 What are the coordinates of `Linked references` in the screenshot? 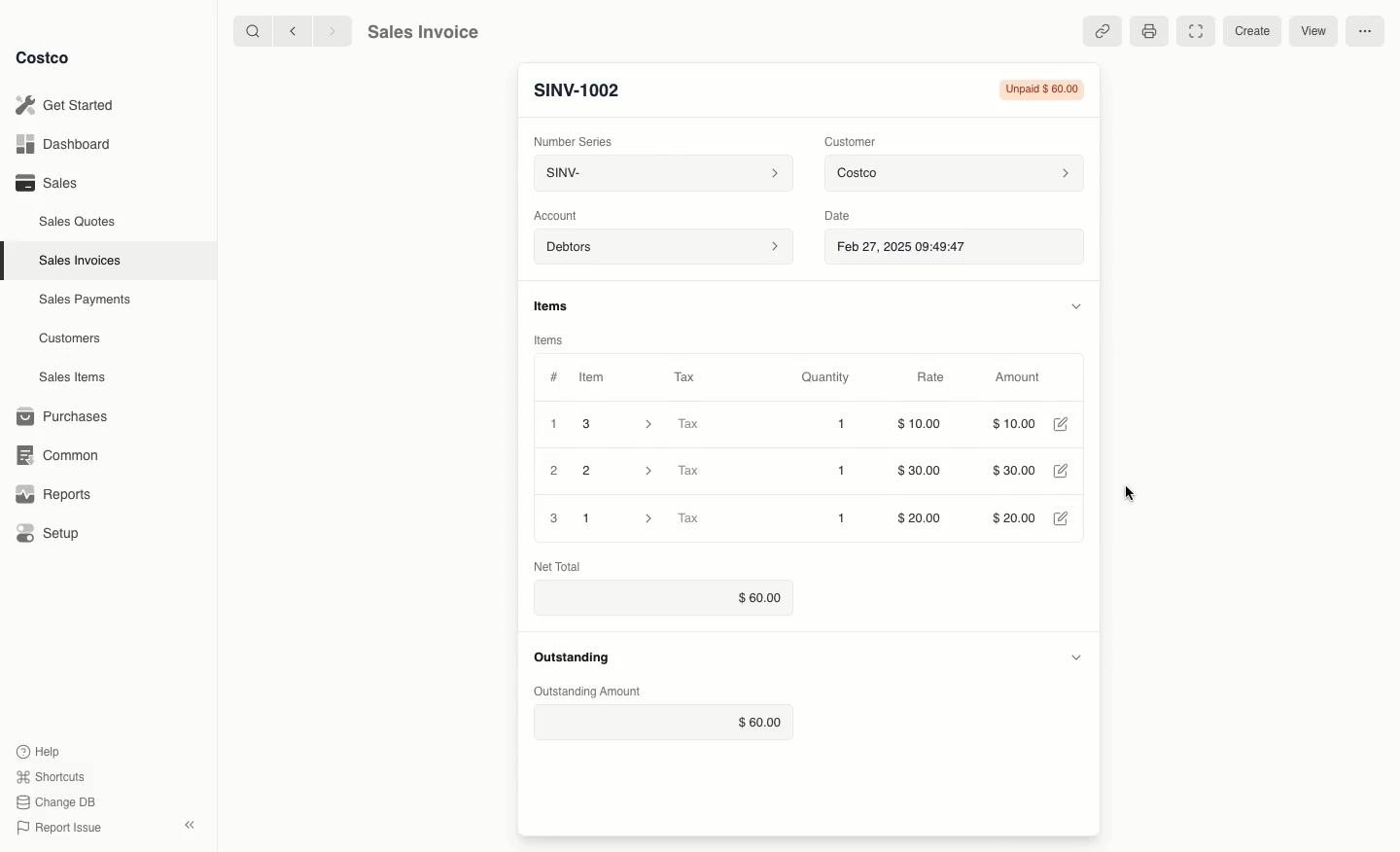 It's located at (1102, 29).